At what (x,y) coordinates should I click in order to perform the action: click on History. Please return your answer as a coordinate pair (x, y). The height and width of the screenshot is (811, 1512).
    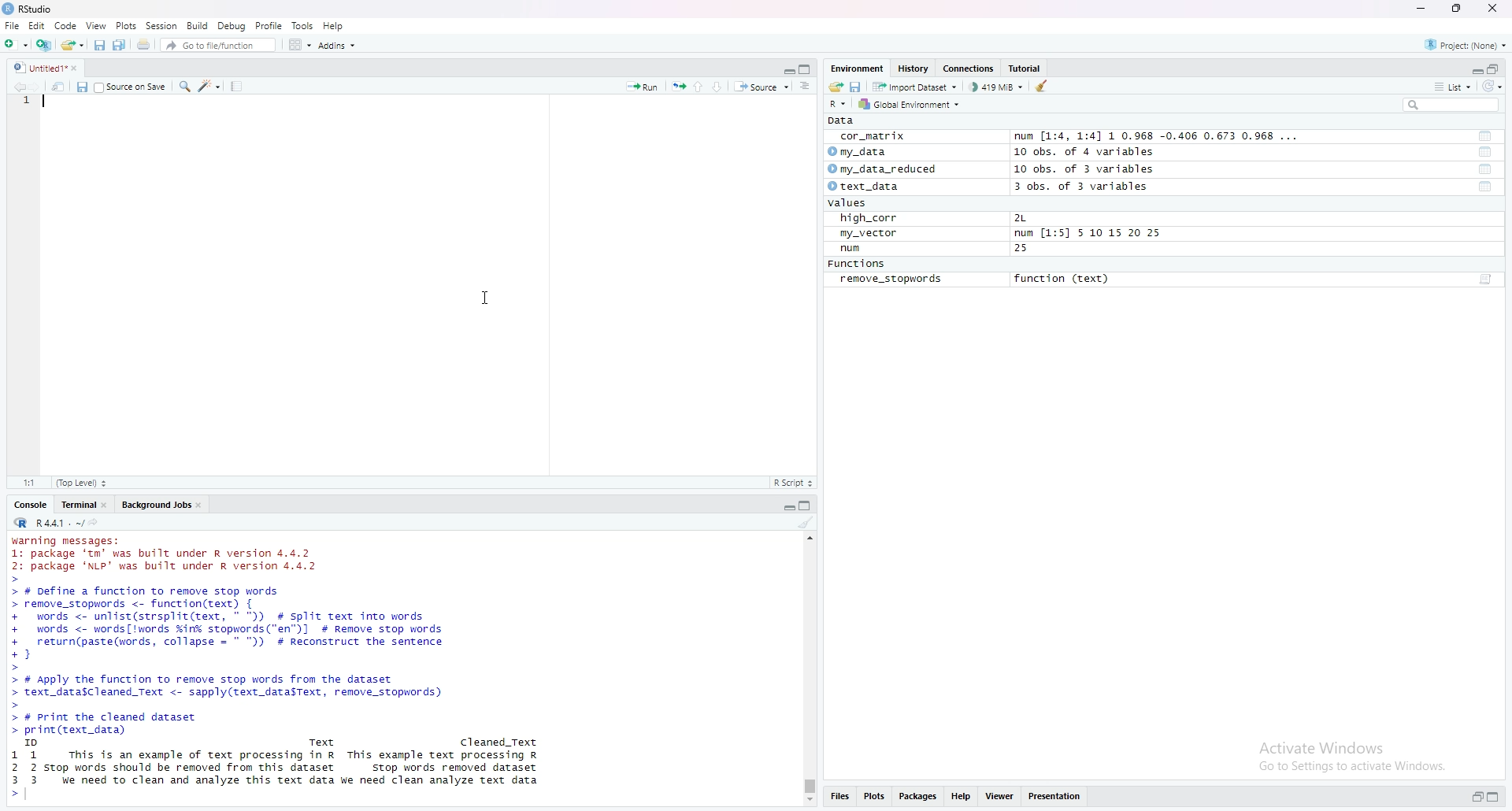
    Looking at the image, I should click on (913, 69).